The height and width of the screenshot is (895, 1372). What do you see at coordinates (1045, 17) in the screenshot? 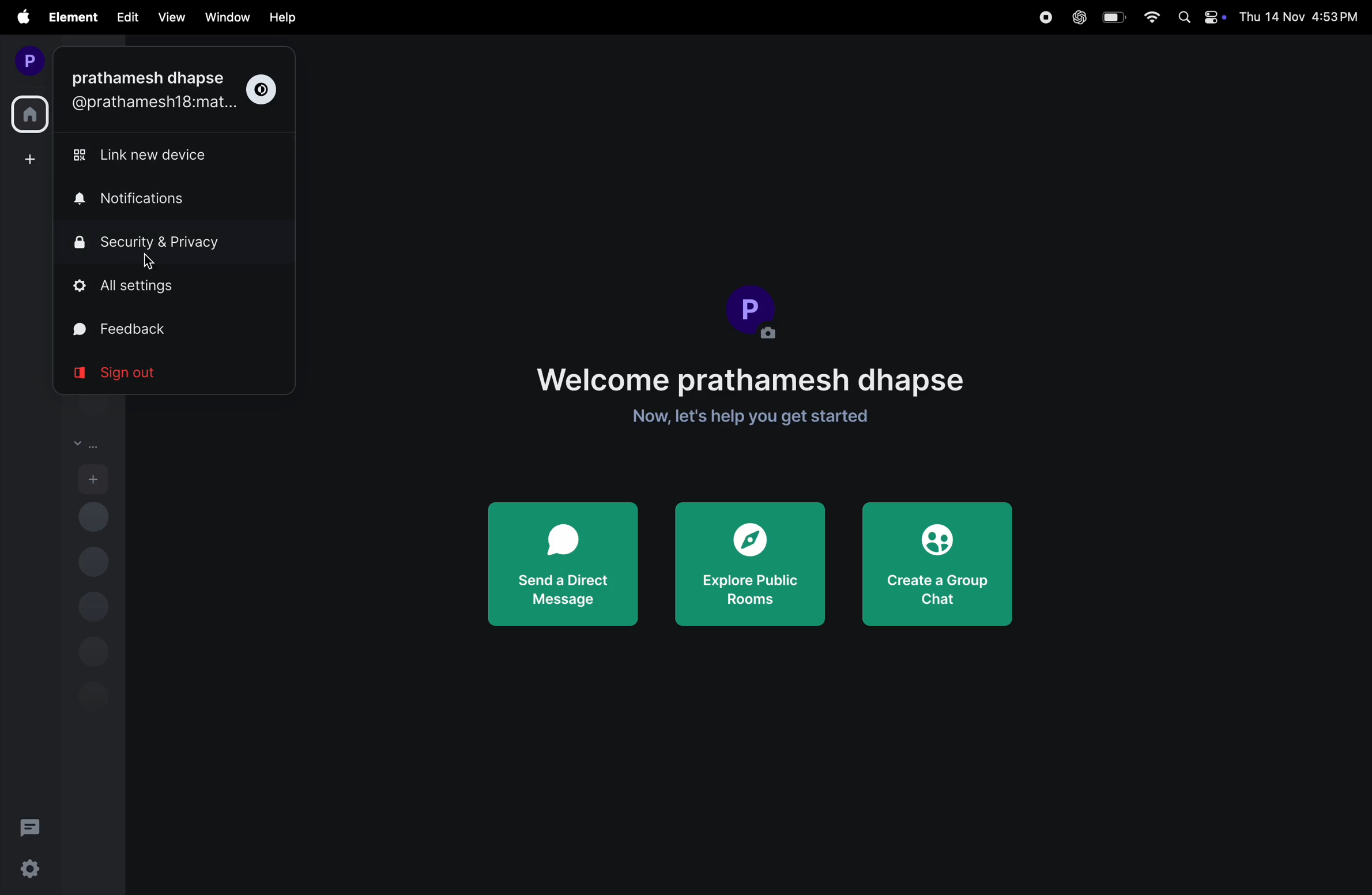
I see `record` at bounding box center [1045, 17].